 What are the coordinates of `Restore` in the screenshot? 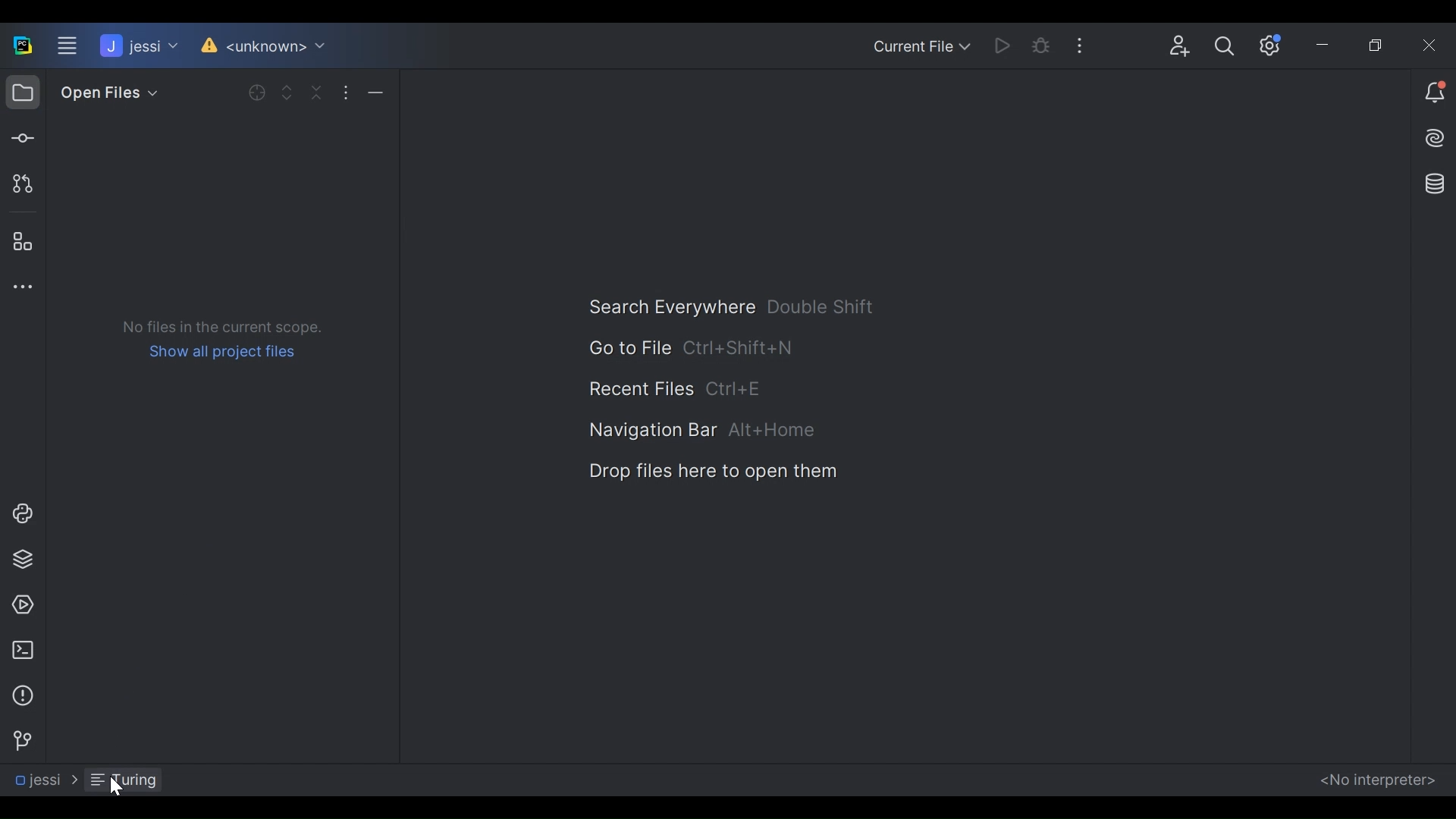 It's located at (1380, 45).